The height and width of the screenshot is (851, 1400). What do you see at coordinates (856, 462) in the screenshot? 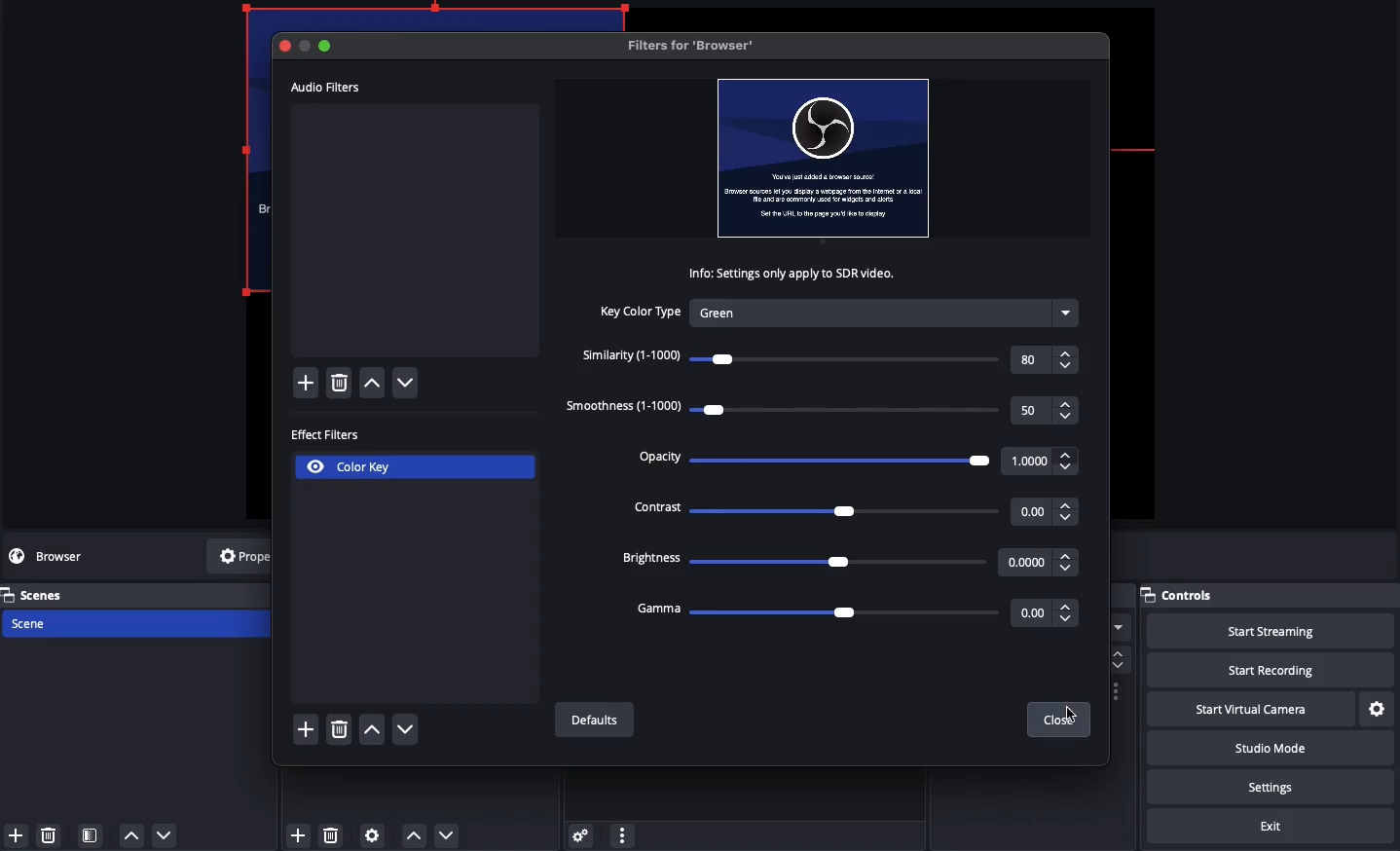
I see `Opacity` at bounding box center [856, 462].